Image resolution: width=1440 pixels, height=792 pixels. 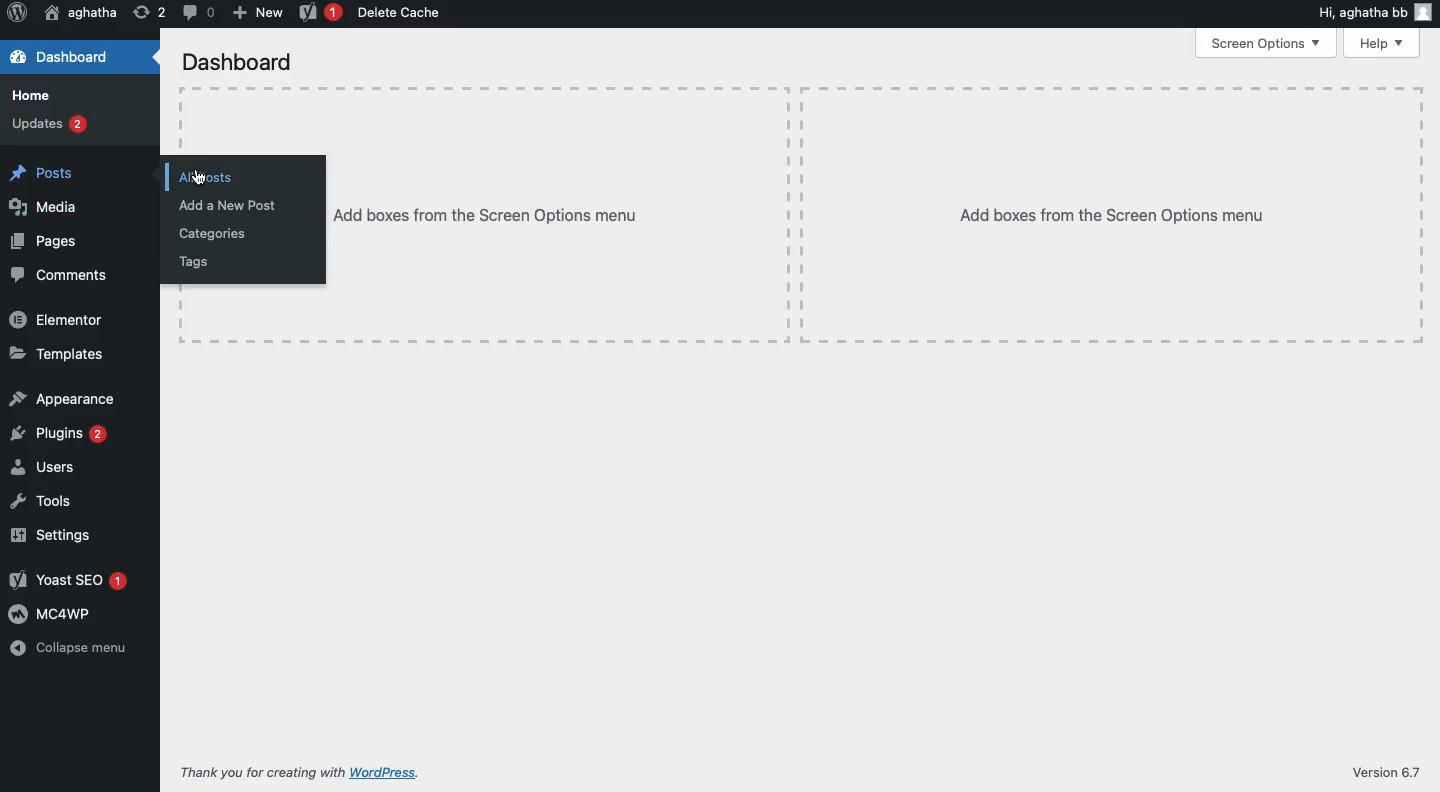 I want to click on Table line, so click(x=798, y=212).